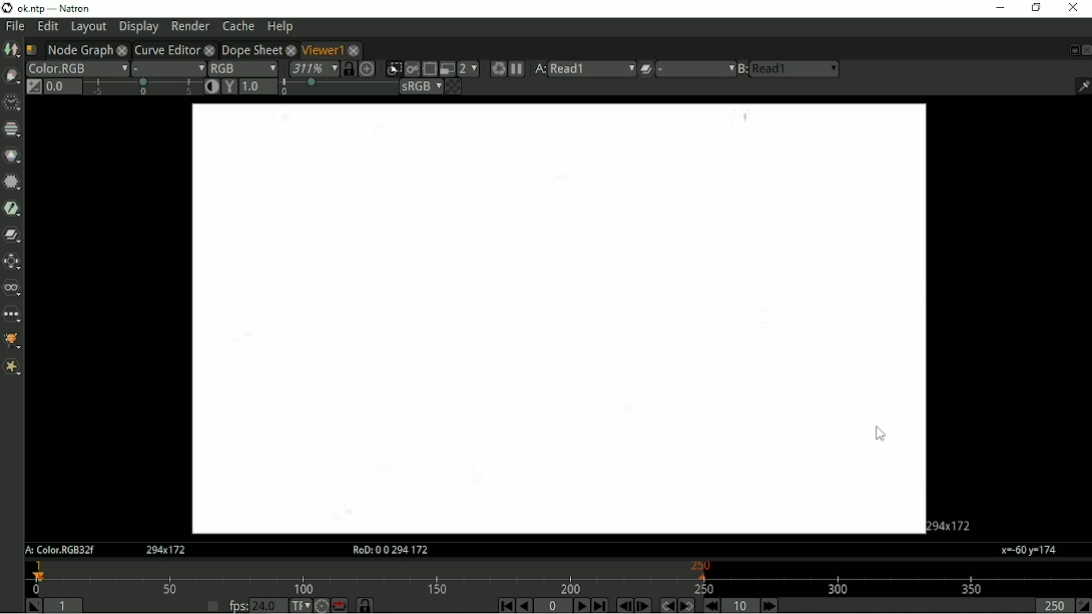 This screenshot has width=1092, height=614. I want to click on x=60, so click(1031, 550).